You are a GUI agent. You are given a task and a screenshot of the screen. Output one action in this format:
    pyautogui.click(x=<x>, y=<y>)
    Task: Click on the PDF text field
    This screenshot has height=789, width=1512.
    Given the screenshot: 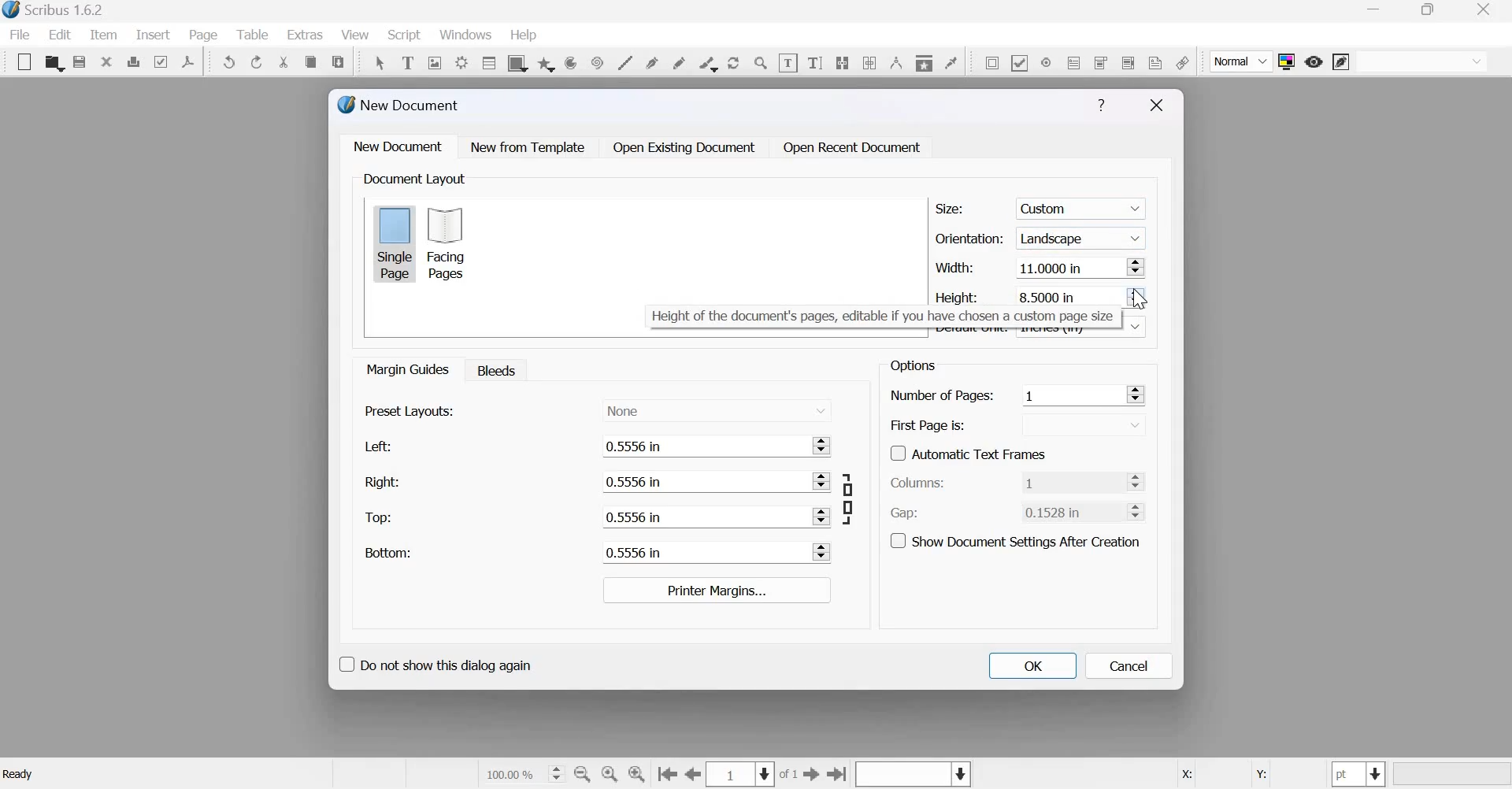 What is the action you would take?
    pyautogui.click(x=1074, y=61)
    